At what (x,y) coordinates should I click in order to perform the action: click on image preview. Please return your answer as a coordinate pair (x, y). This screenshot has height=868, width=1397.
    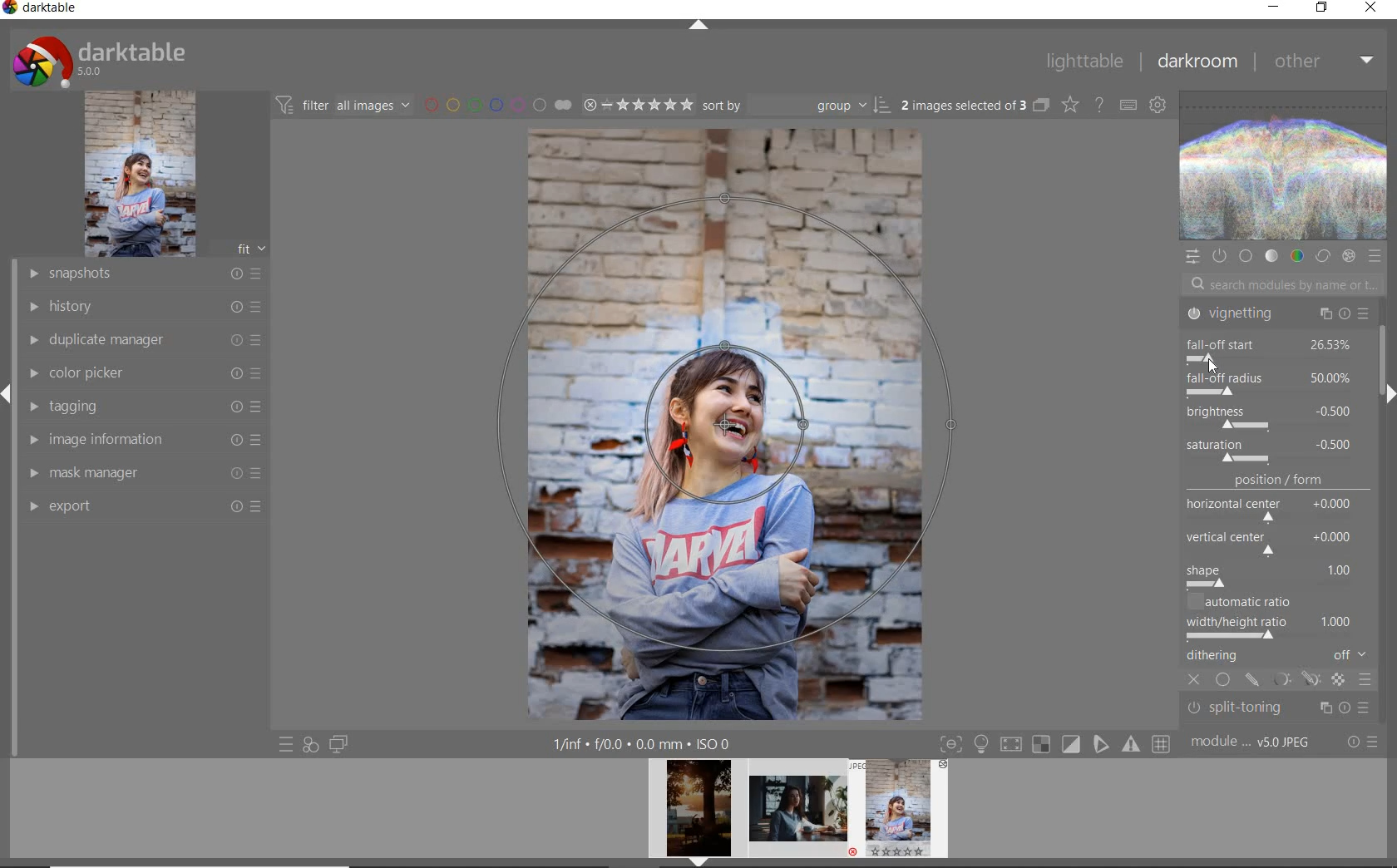
    Looking at the image, I should click on (694, 813).